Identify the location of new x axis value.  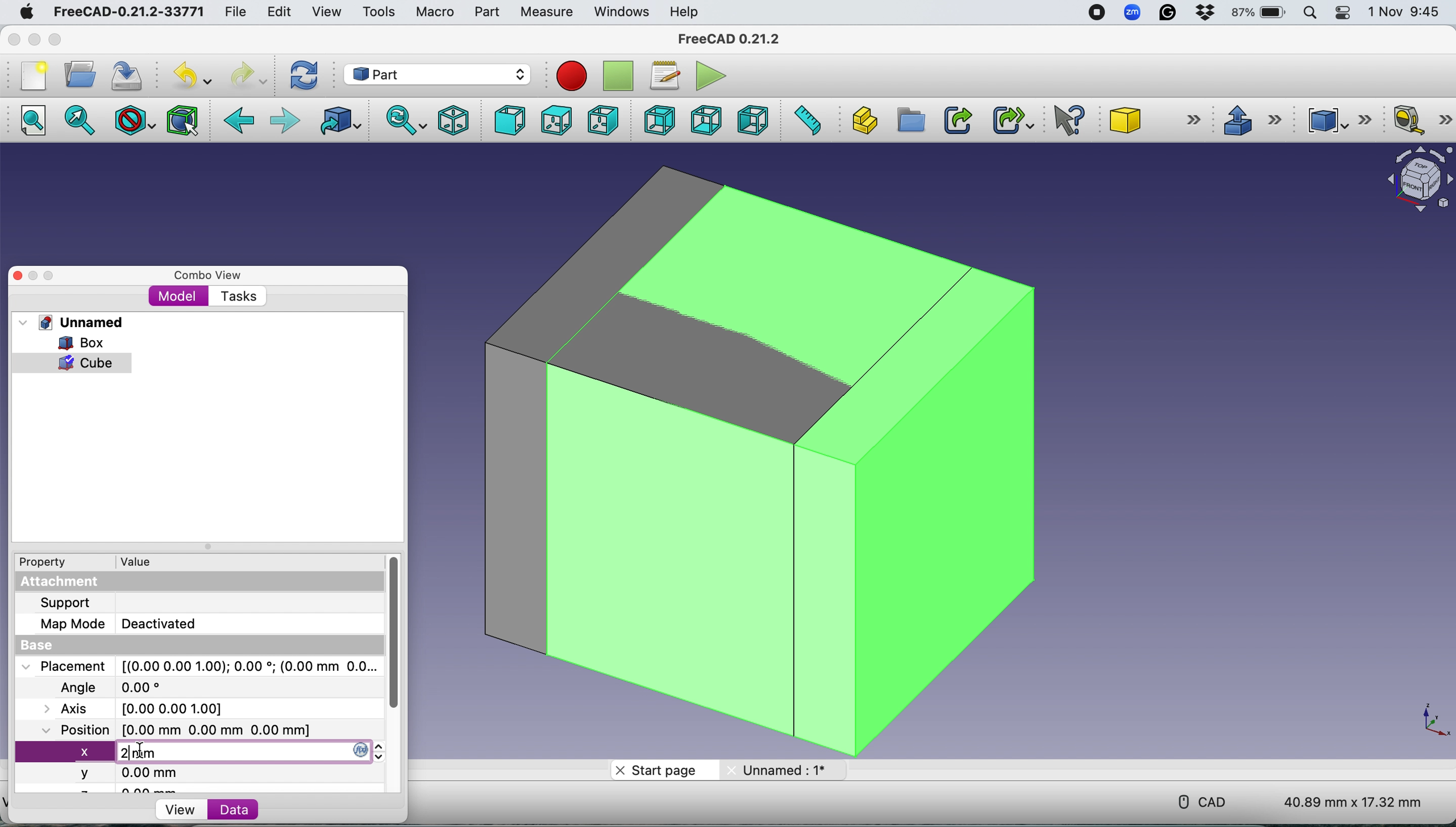
(192, 751).